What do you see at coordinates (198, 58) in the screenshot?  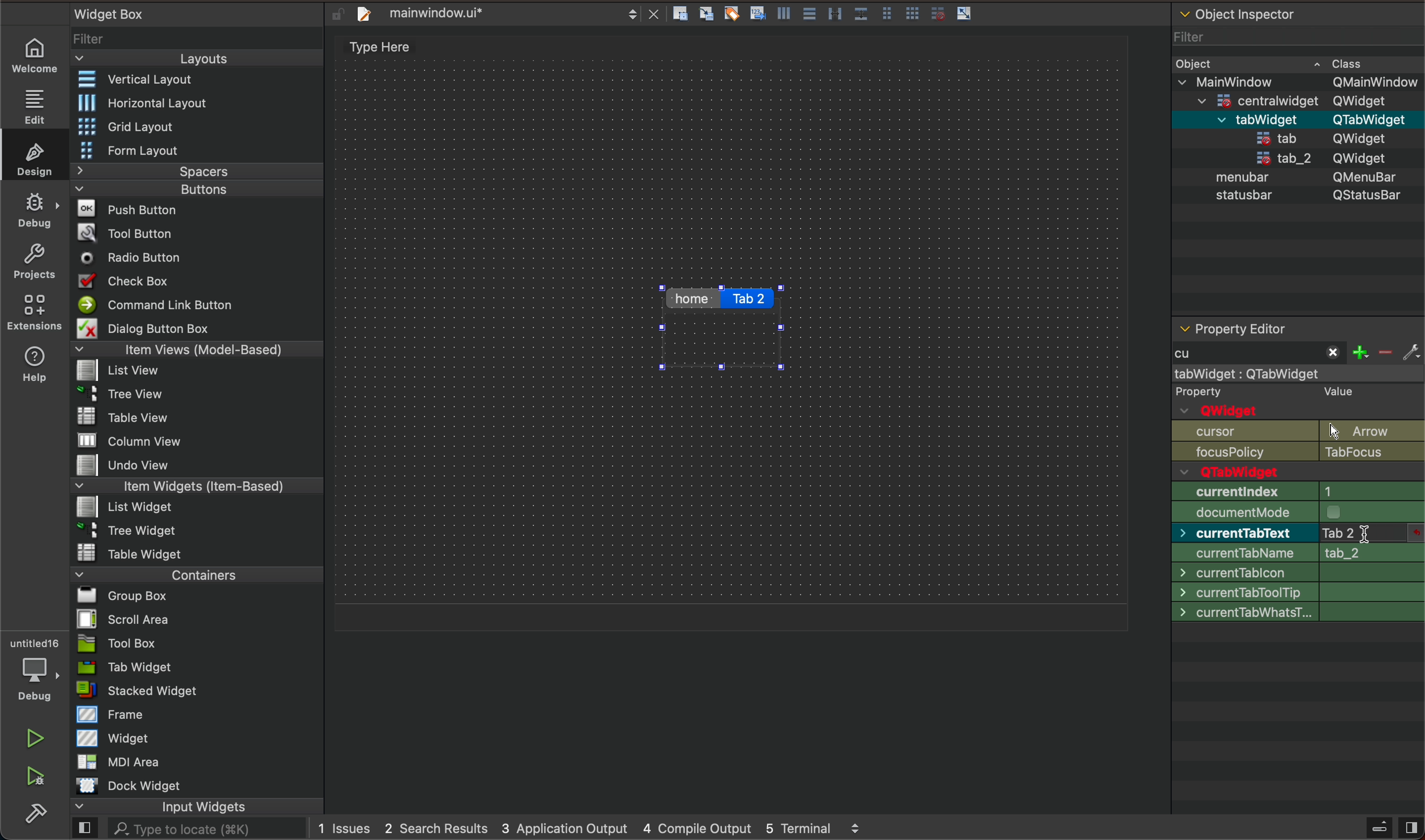 I see `Layouts` at bounding box center [198, 58].